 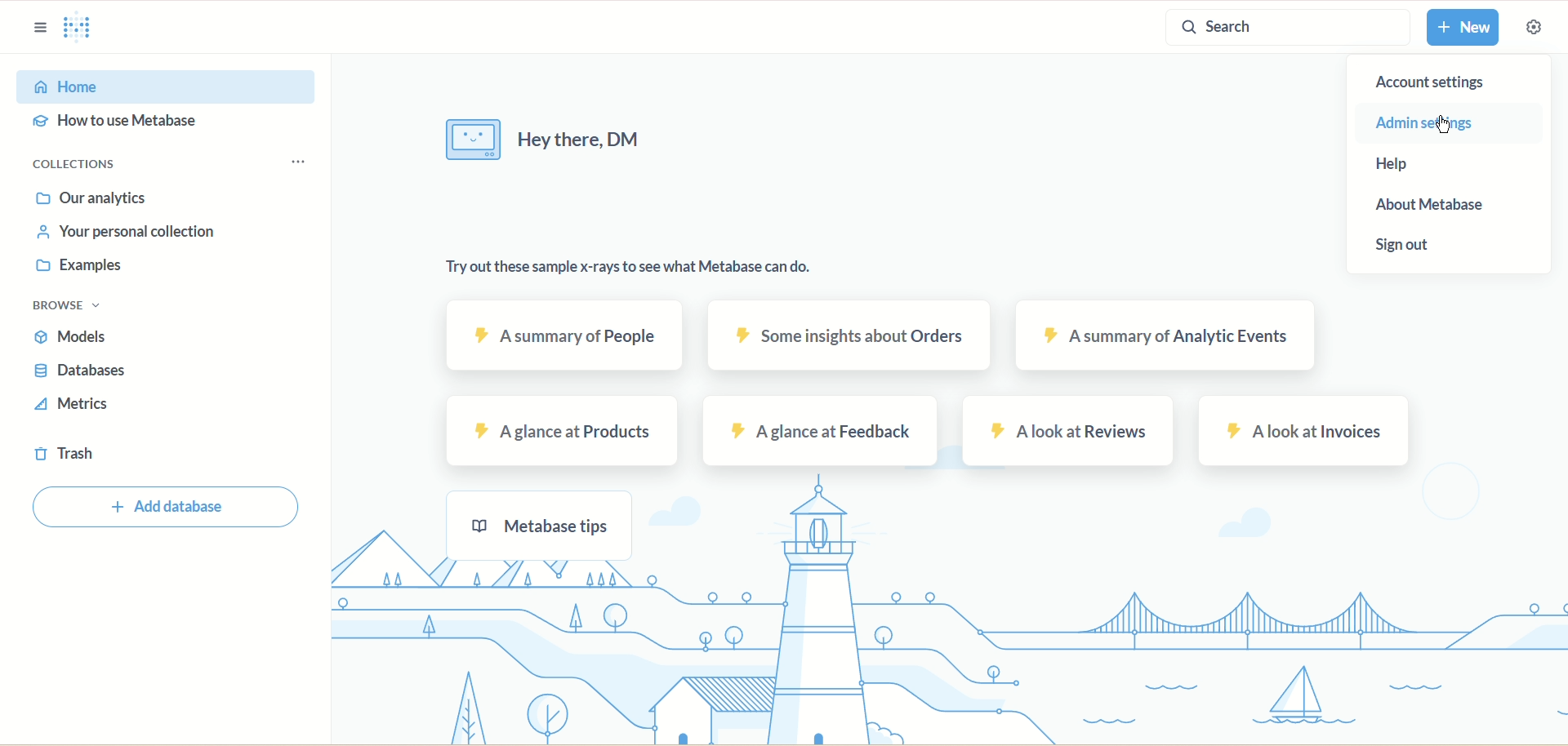 I want to click on Add database, so click(x=160, y=508).